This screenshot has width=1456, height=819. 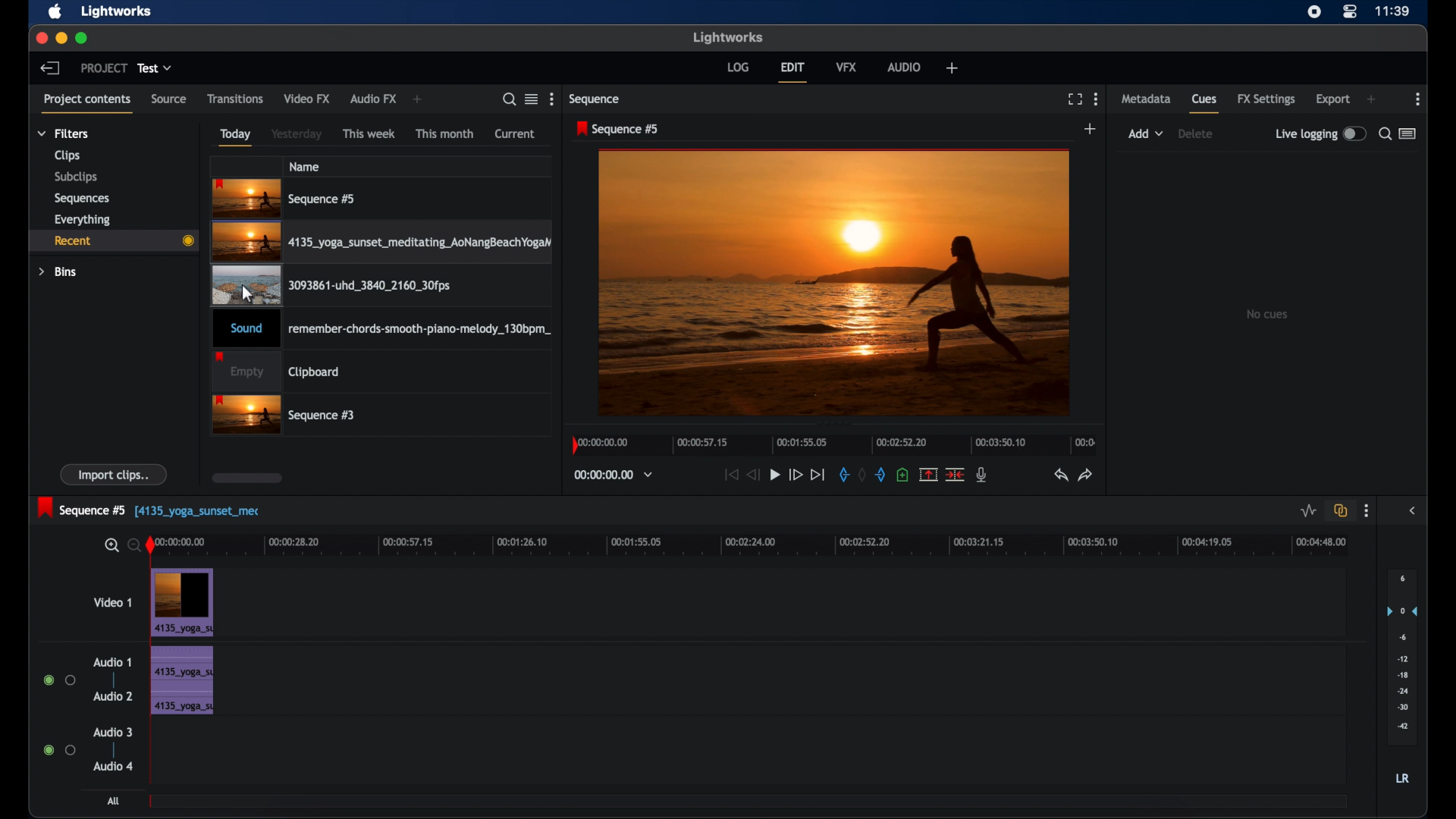 I want to click on video fx, so click(x=309, y=99).